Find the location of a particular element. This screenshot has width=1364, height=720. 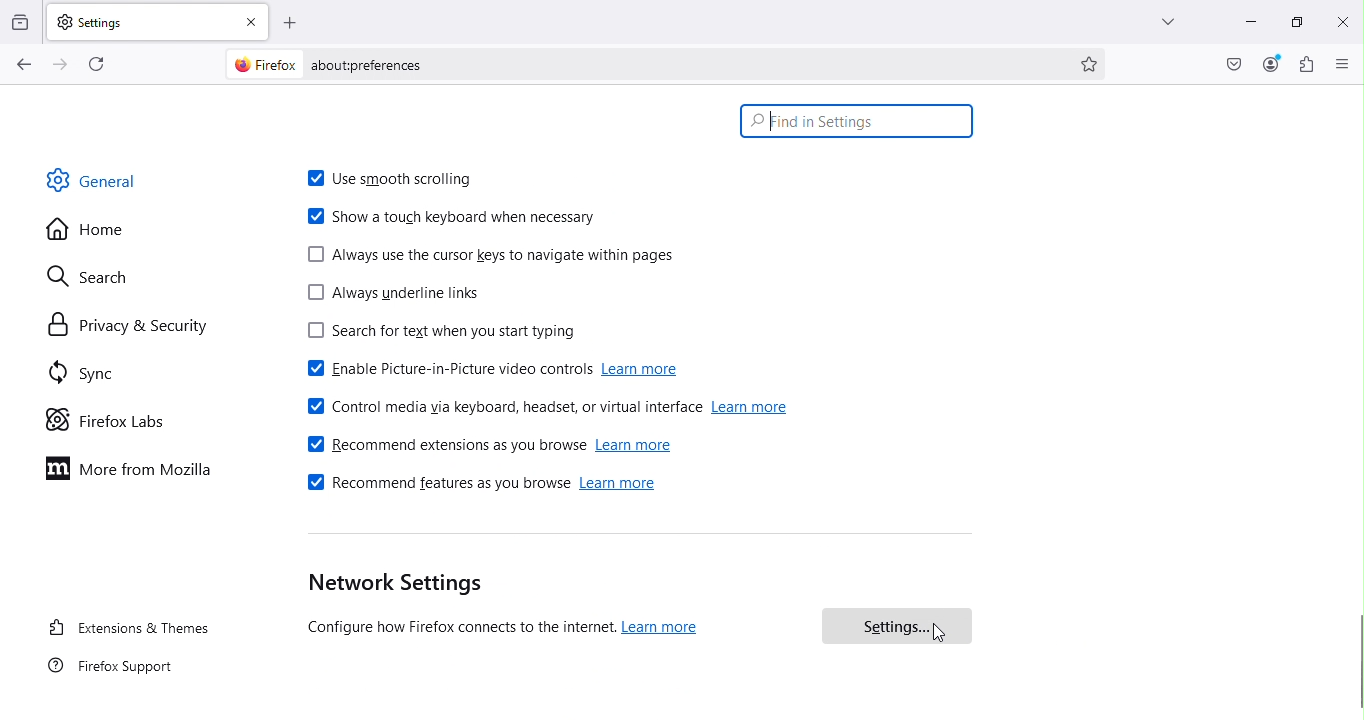

Network settings is located at coordinates (391, 584).